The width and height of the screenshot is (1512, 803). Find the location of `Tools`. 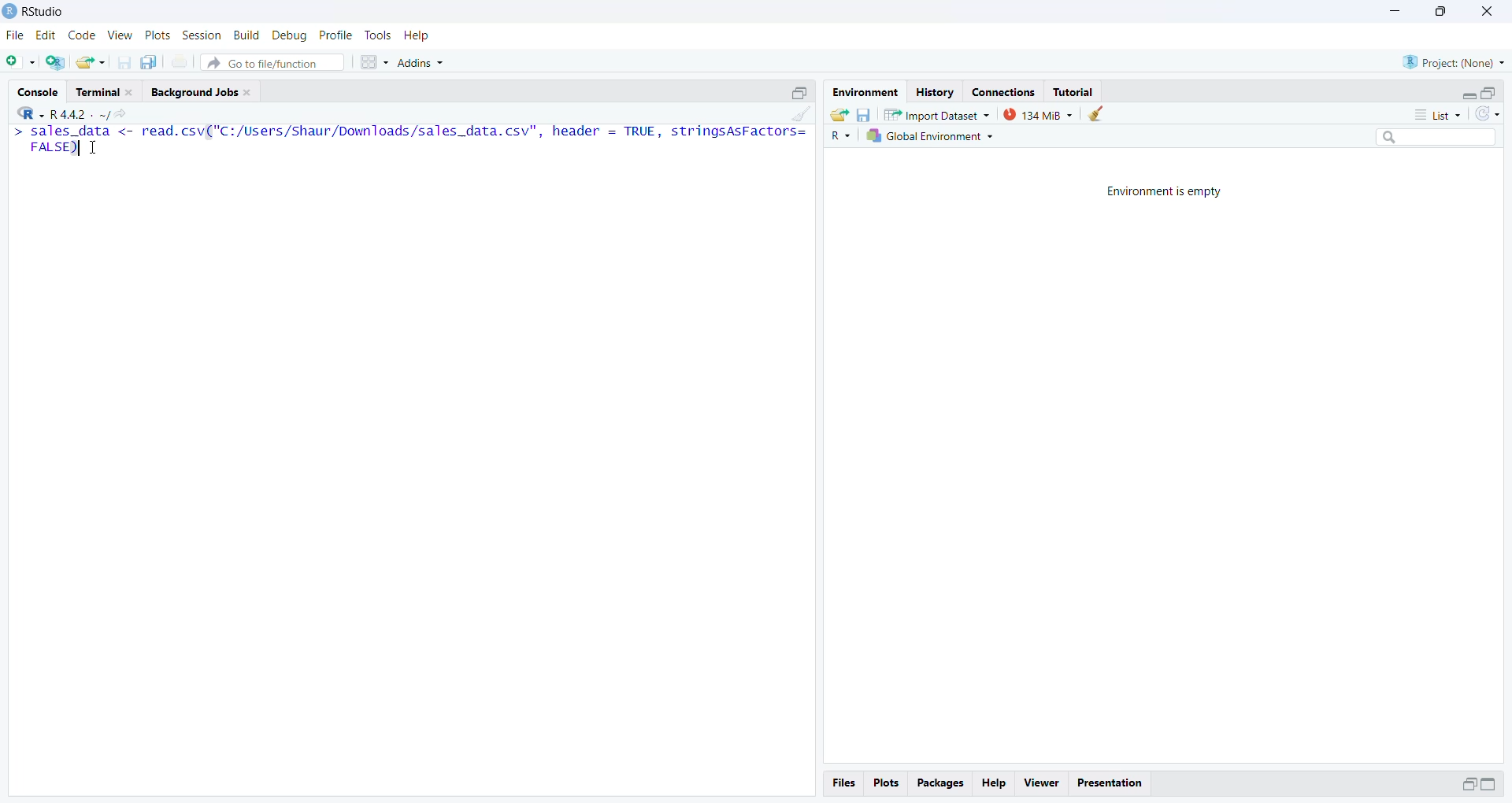

Tools is located at coordinates (378, 35).